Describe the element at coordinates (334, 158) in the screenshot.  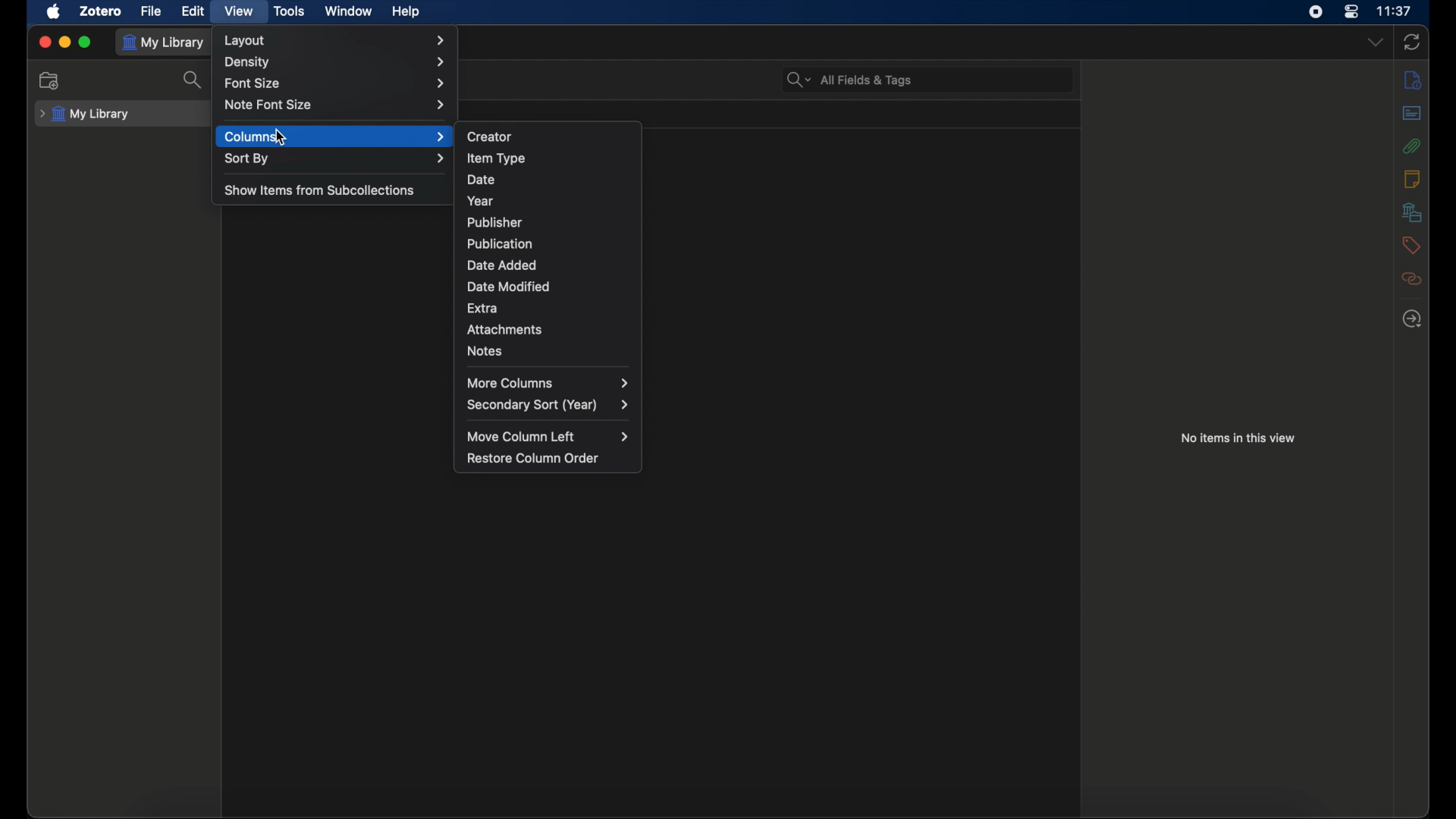
I see `sort by` at that location.